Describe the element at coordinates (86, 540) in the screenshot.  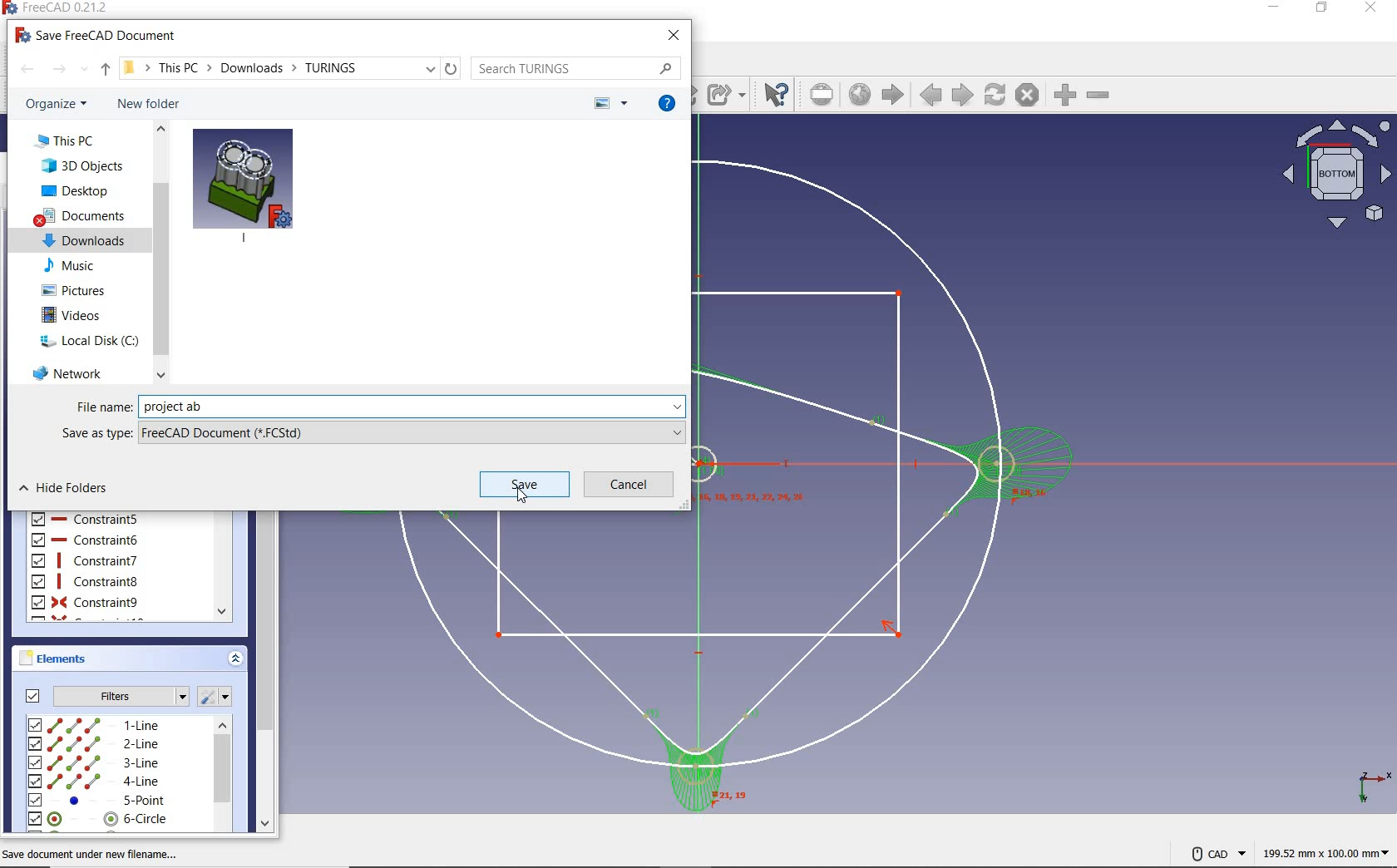
I see `constraint6` at that location.